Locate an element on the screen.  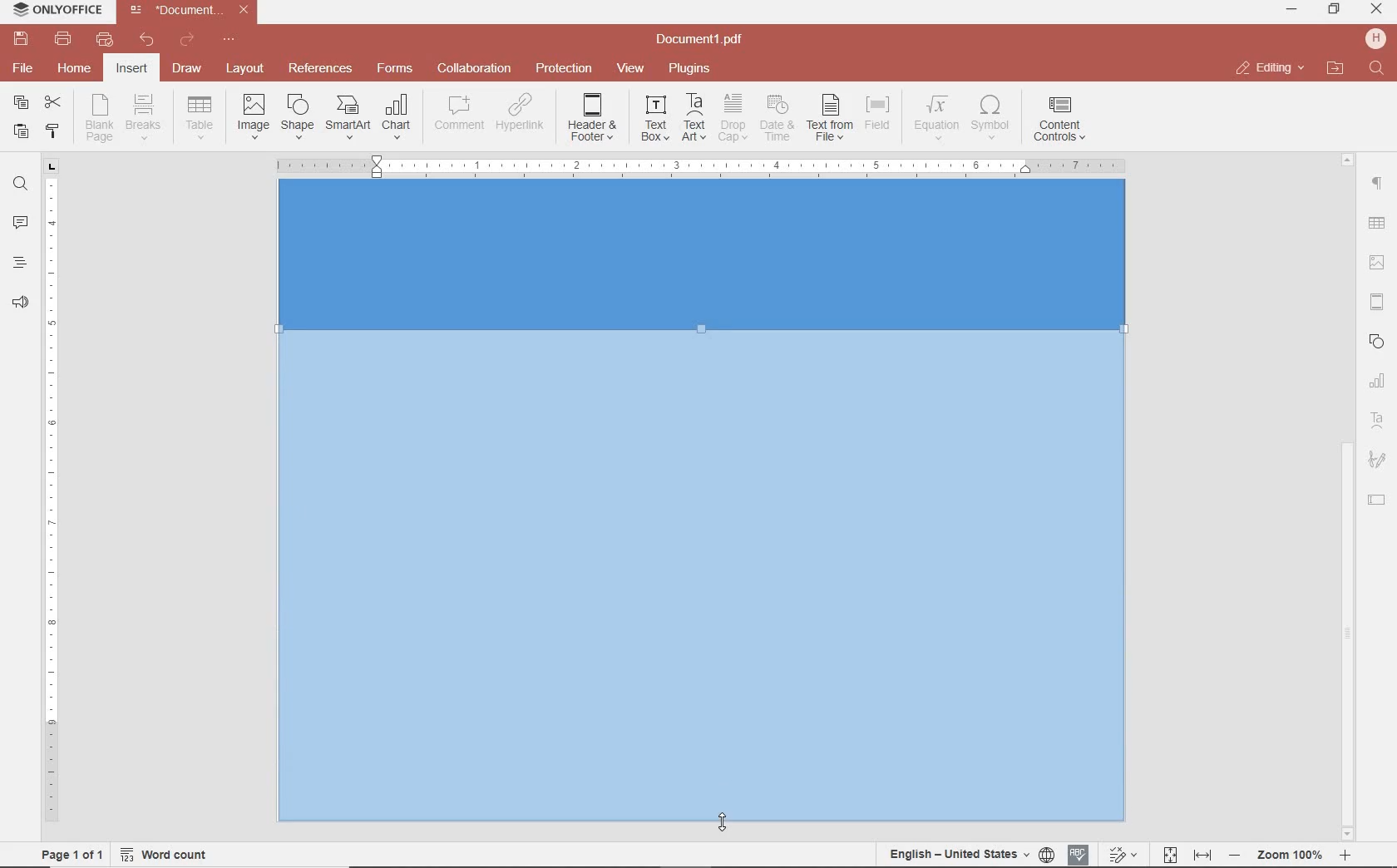
tab stop is located at coordinates (52, 165).